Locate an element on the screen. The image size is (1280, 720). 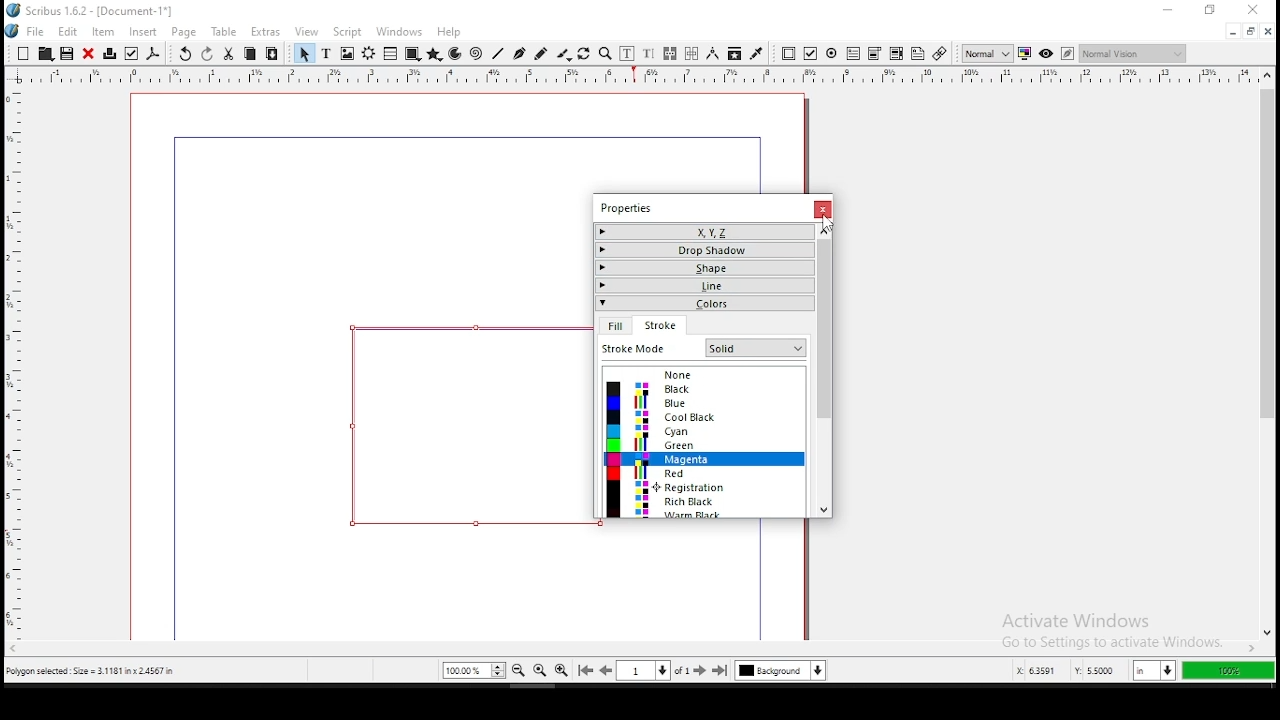
help is located at coordinates (449, 32).